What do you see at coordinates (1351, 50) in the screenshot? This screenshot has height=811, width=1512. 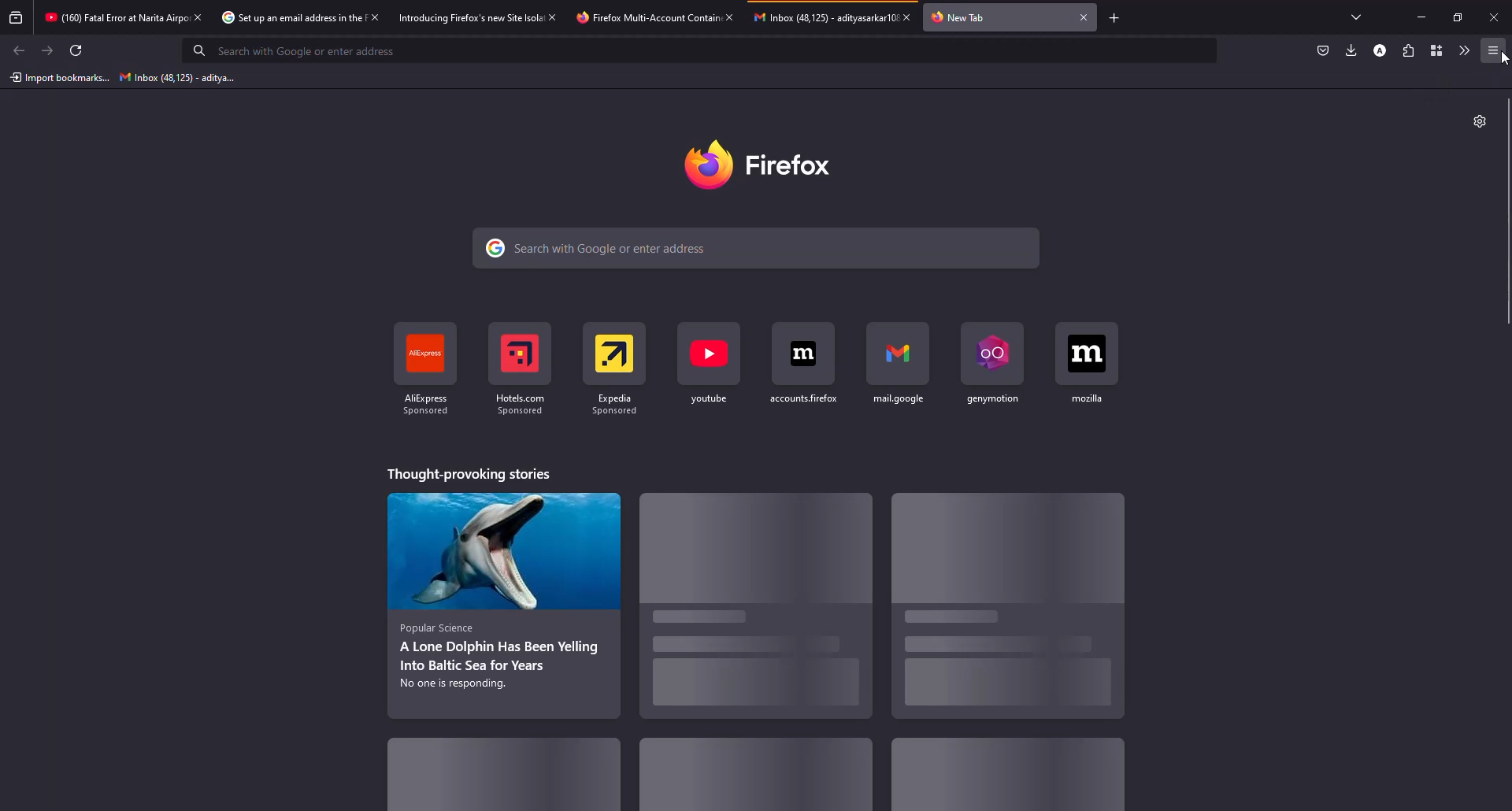 I see `downloads` at bounding box center [1351, 50].